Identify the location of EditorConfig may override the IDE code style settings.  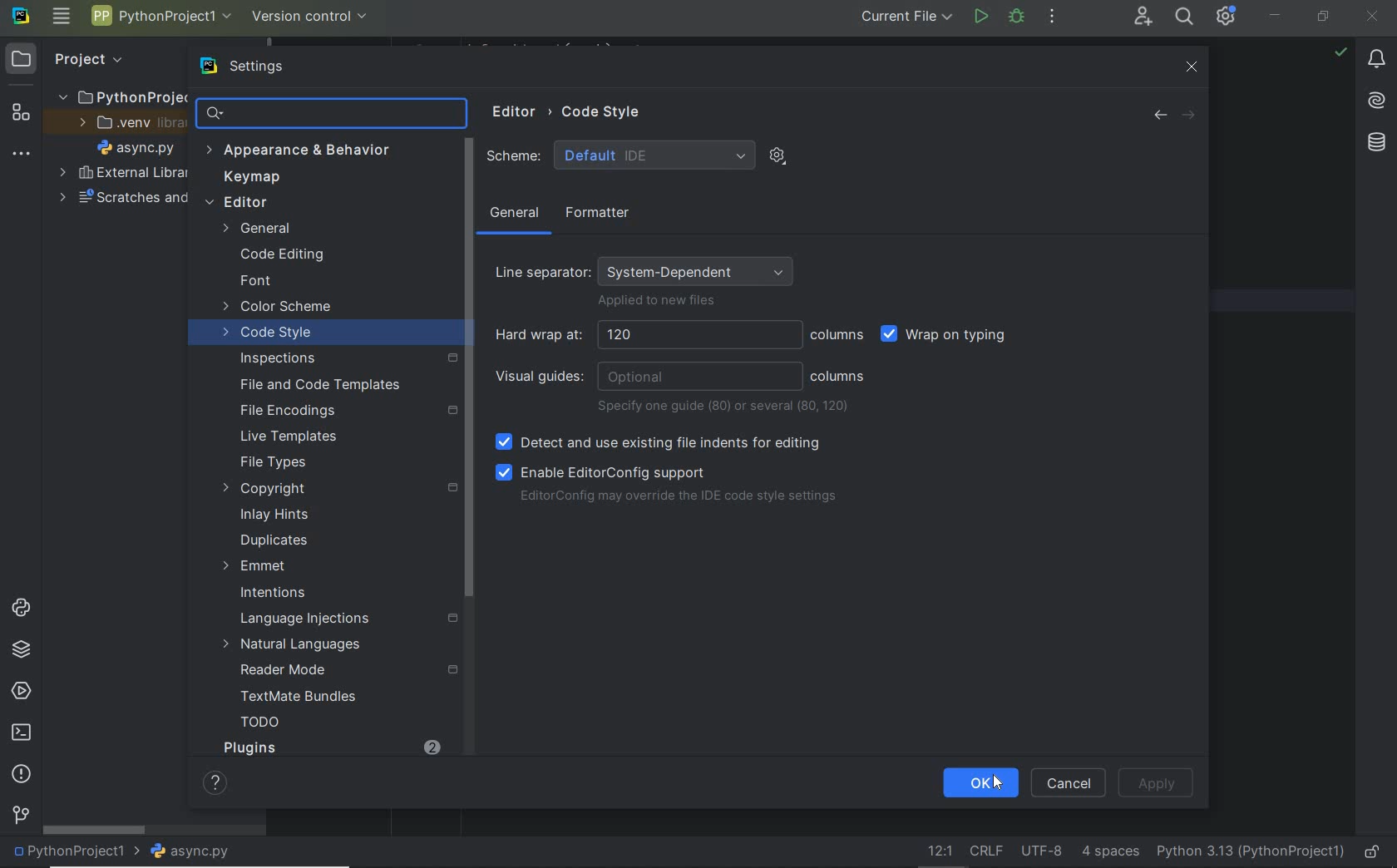
(678, 498).